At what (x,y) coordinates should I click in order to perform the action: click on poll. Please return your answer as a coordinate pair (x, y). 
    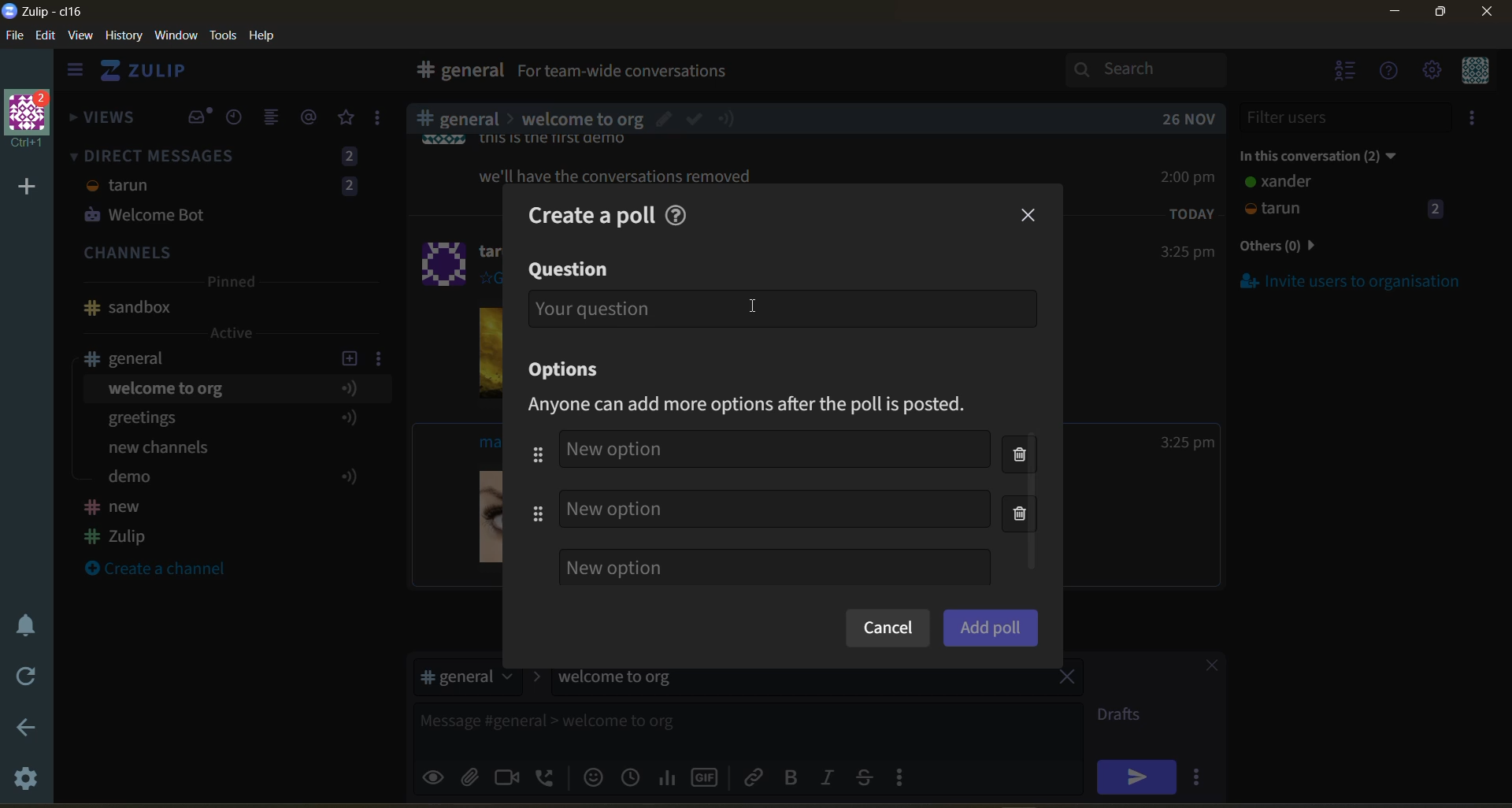
    Looking at the image, I should click on (669, 776).